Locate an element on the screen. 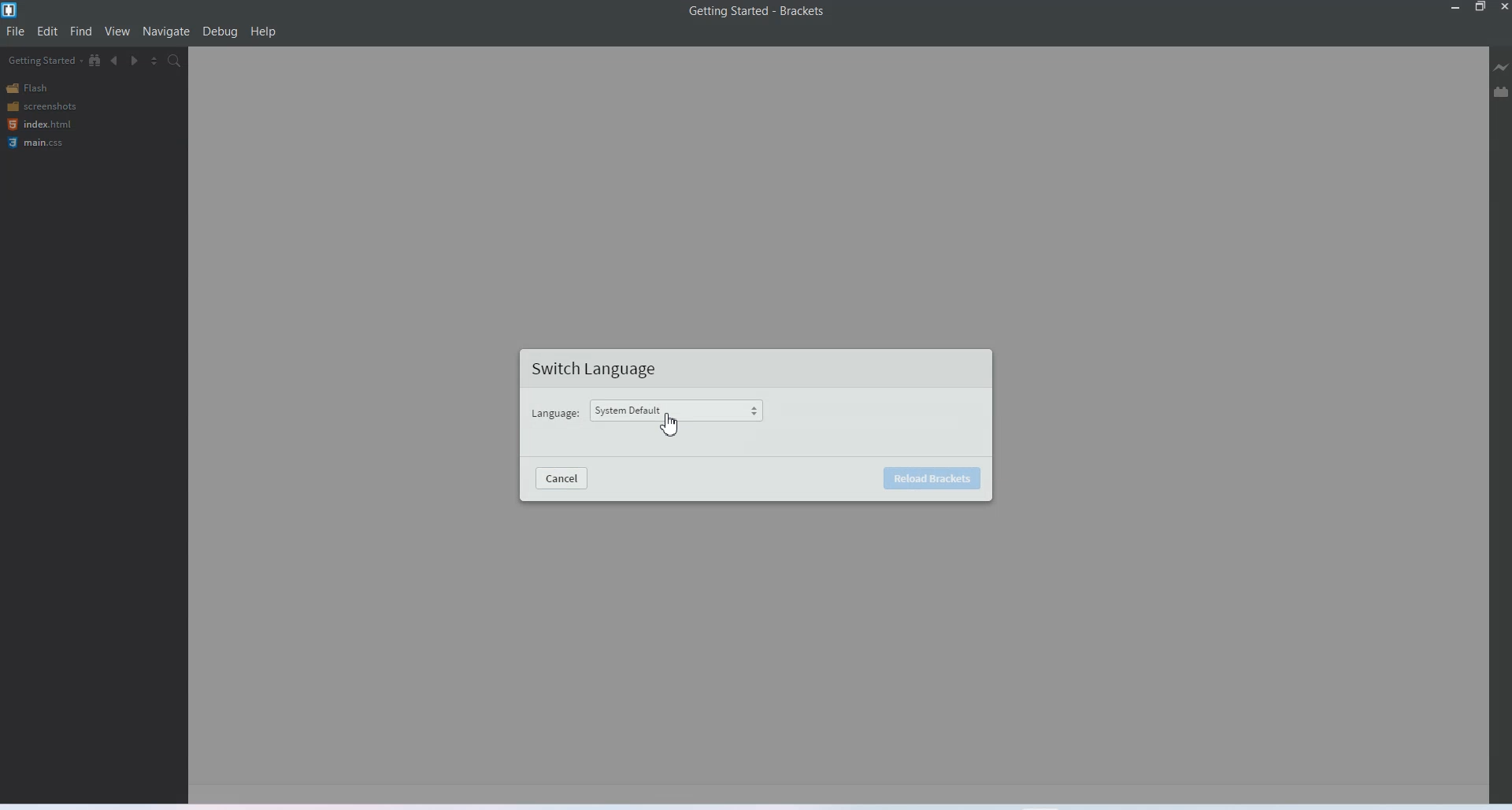 This screenshot has height=810, width=1512. Split the editor vertically and horizontally is located at coordinates (154, 61).